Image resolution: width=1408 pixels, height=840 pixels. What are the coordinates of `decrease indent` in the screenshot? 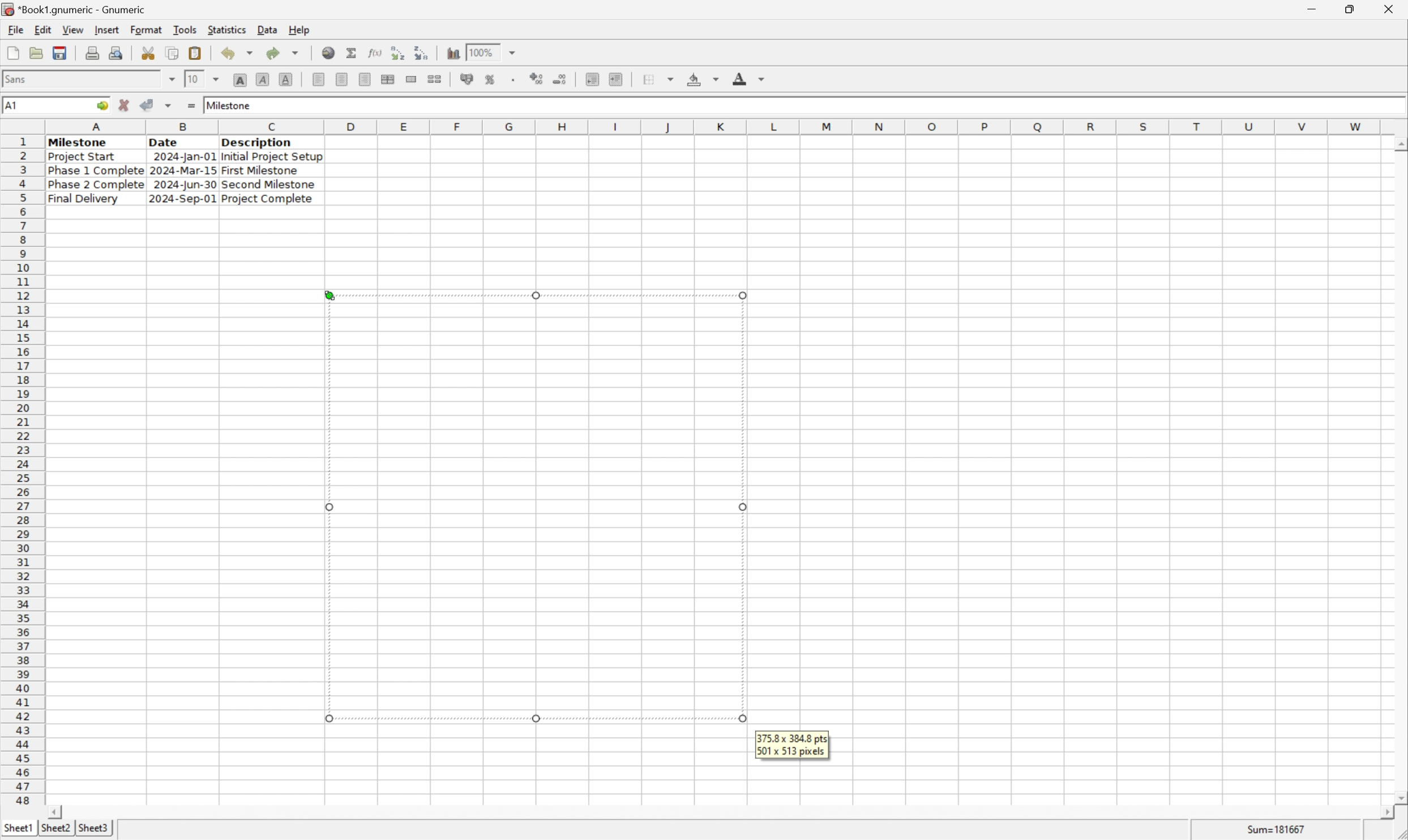 It's located at (592, 80).